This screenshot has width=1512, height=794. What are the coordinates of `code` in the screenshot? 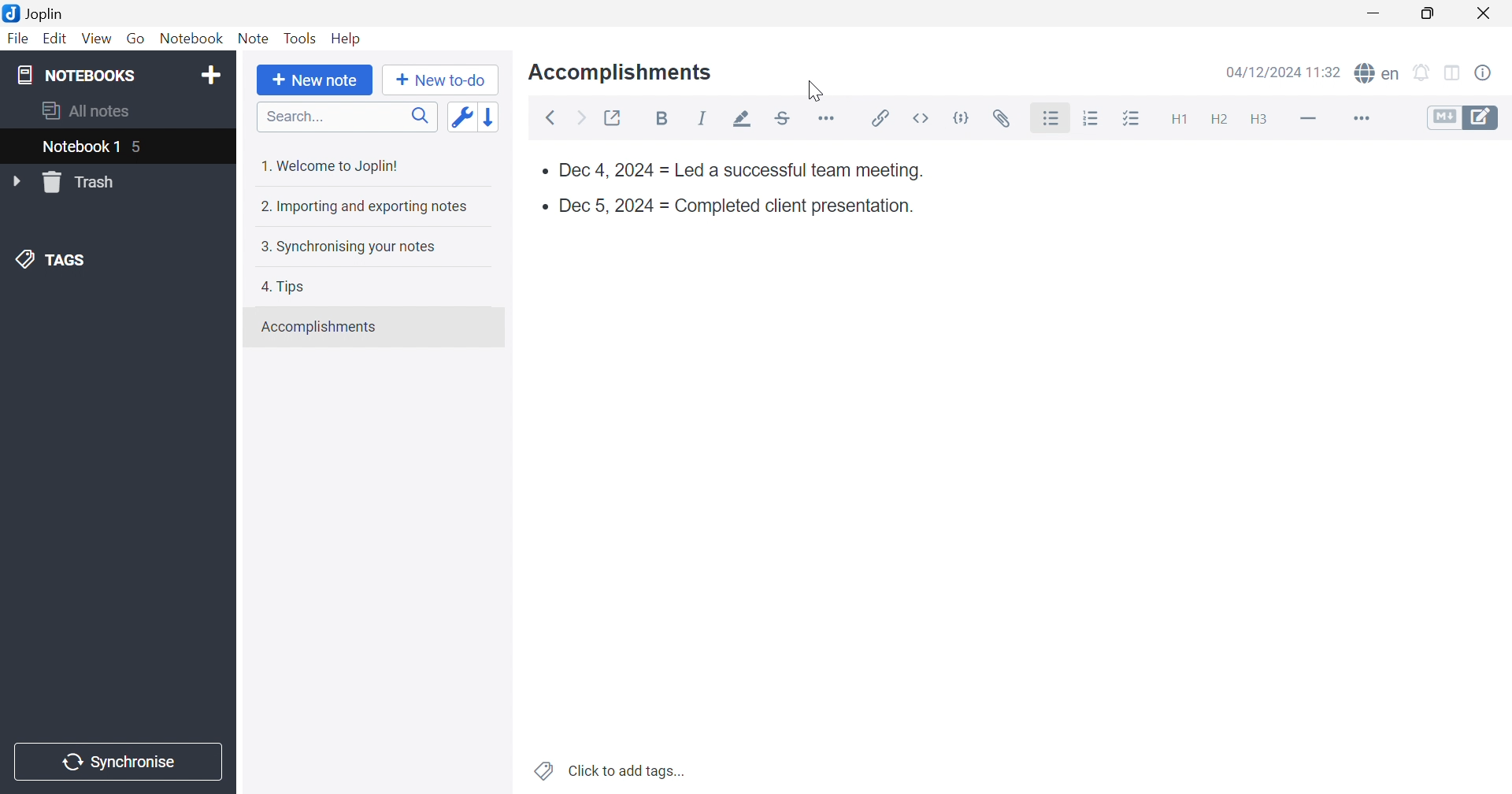 It's located at (962, 116).